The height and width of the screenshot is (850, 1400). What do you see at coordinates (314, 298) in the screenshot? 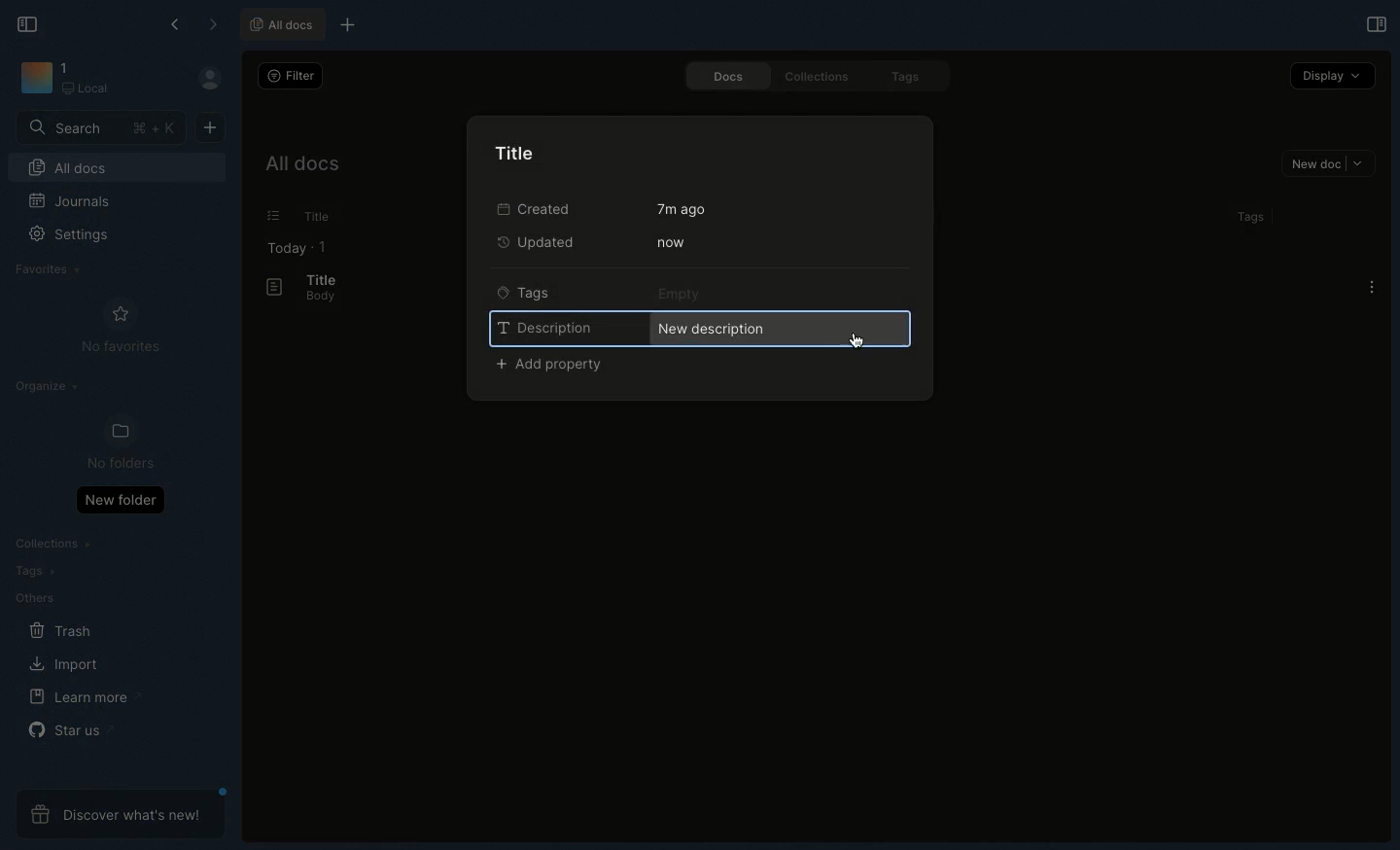
I see `Body` at bounding box center [314, 298].